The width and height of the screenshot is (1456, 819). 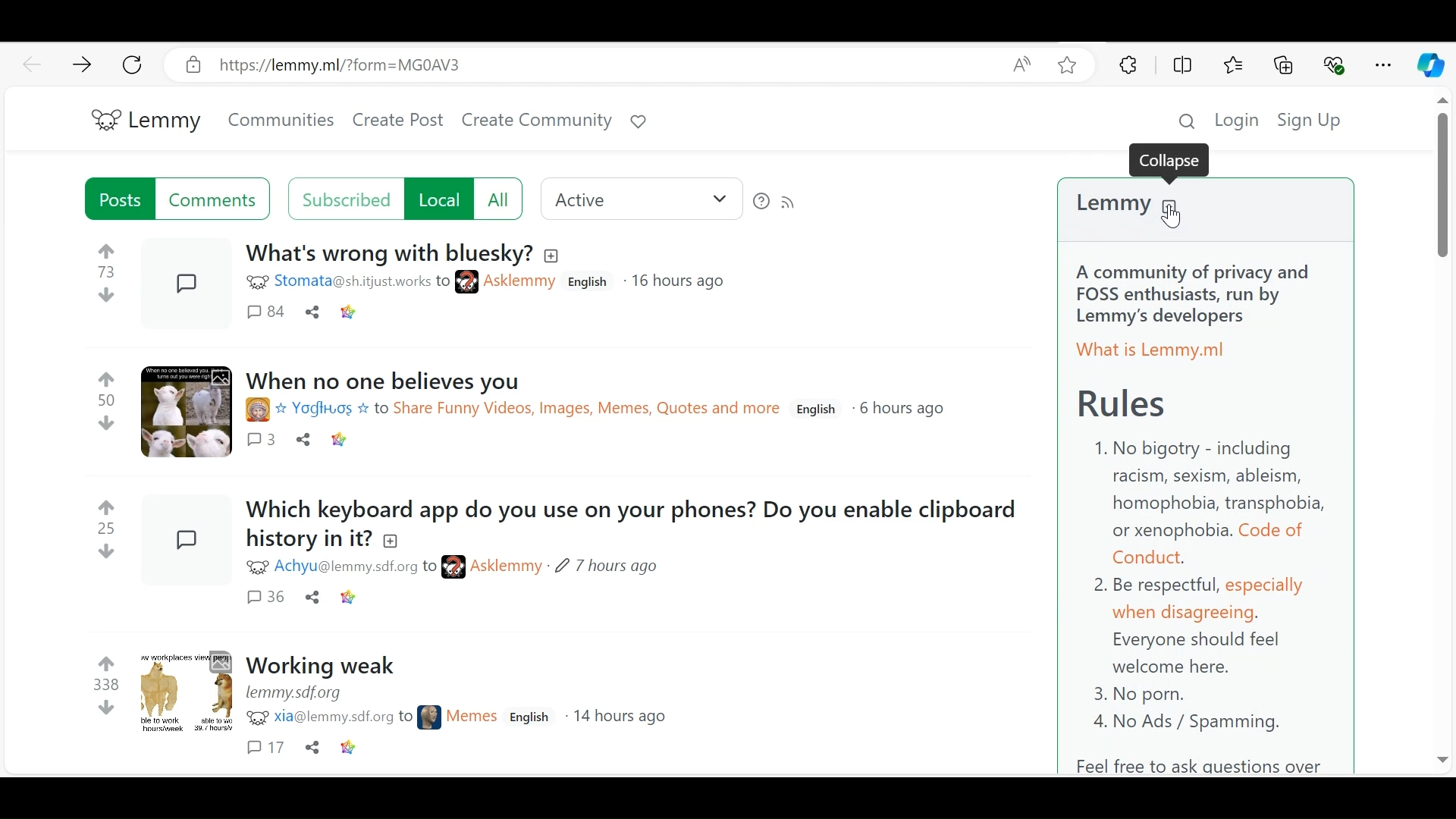 I want to click on 50, so click(x=106, y=400).